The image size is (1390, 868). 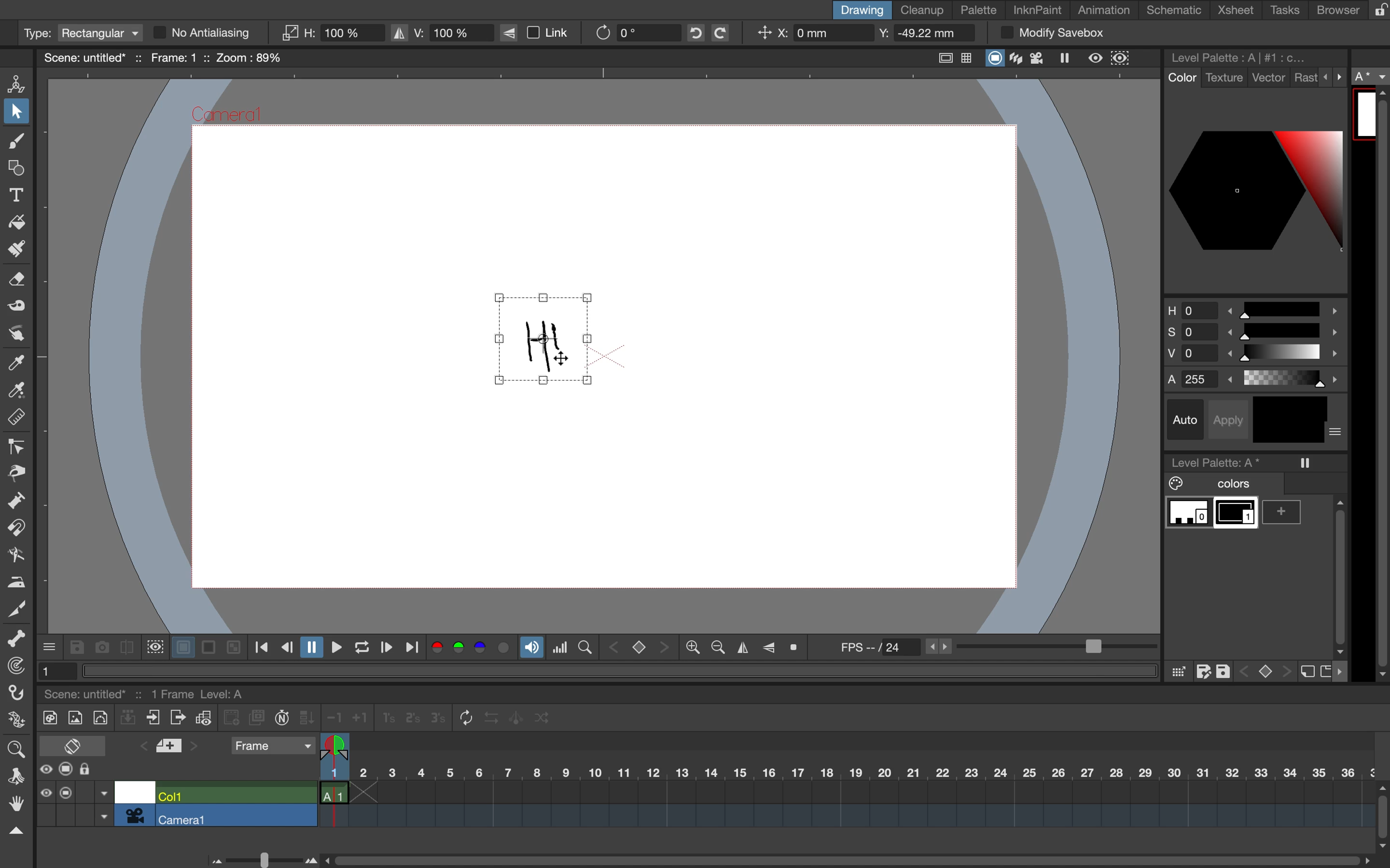 I want to click on fill tool, so click(x=17, y=219).